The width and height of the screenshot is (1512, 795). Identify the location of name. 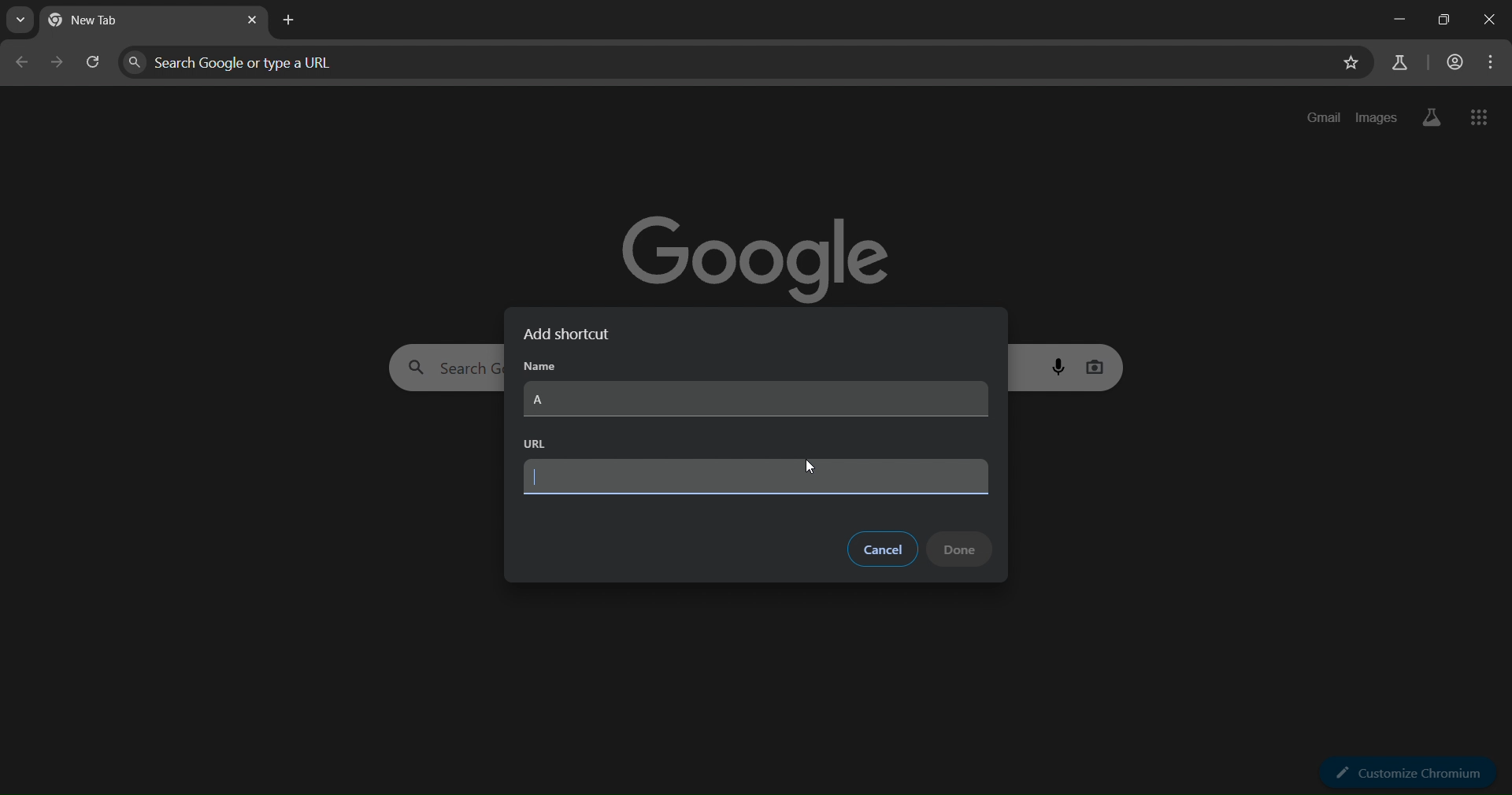
(542, 366).